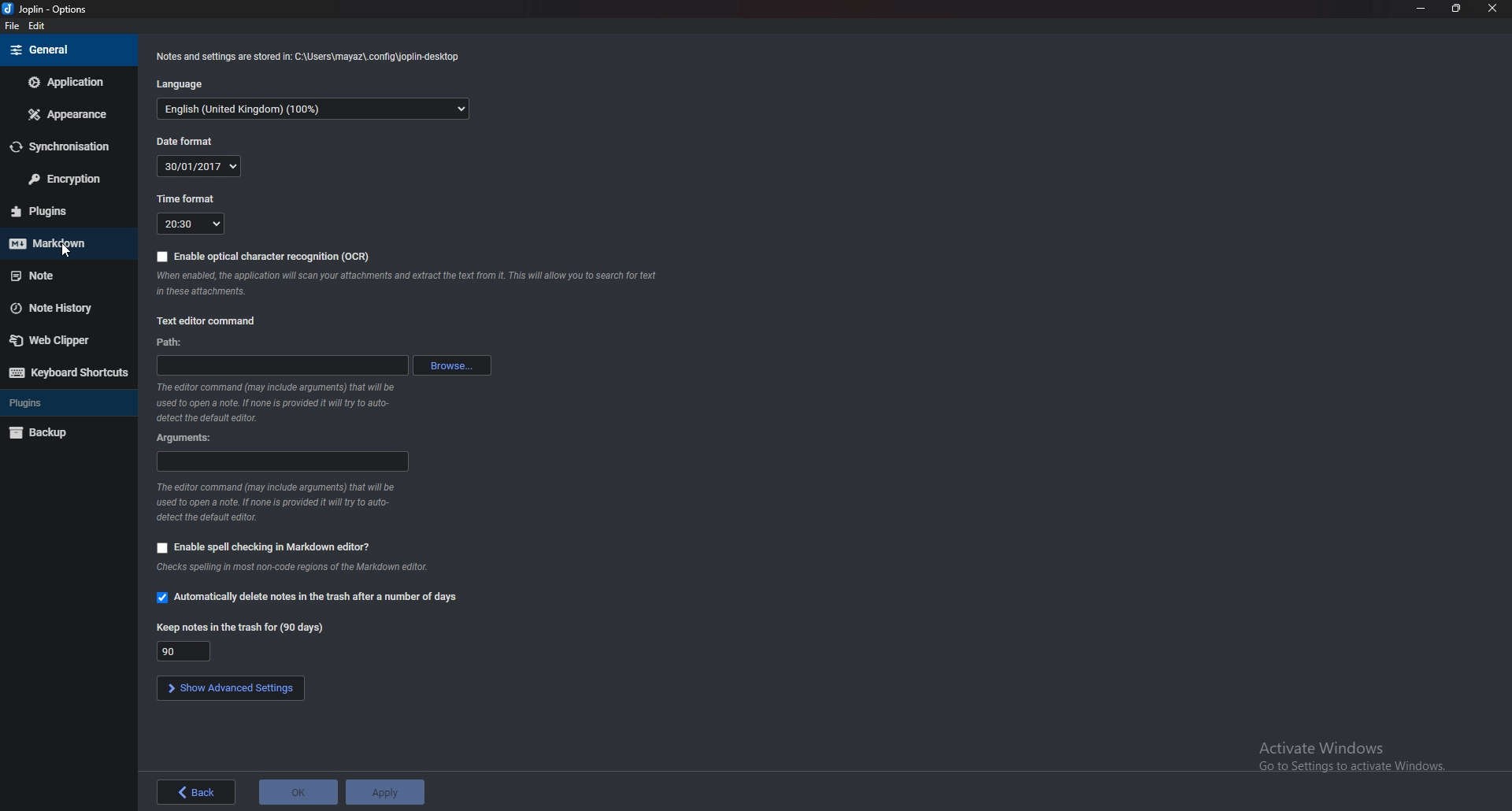 This screenshot has height=811, width=1512. I want to click on edit, so click(38, 26).